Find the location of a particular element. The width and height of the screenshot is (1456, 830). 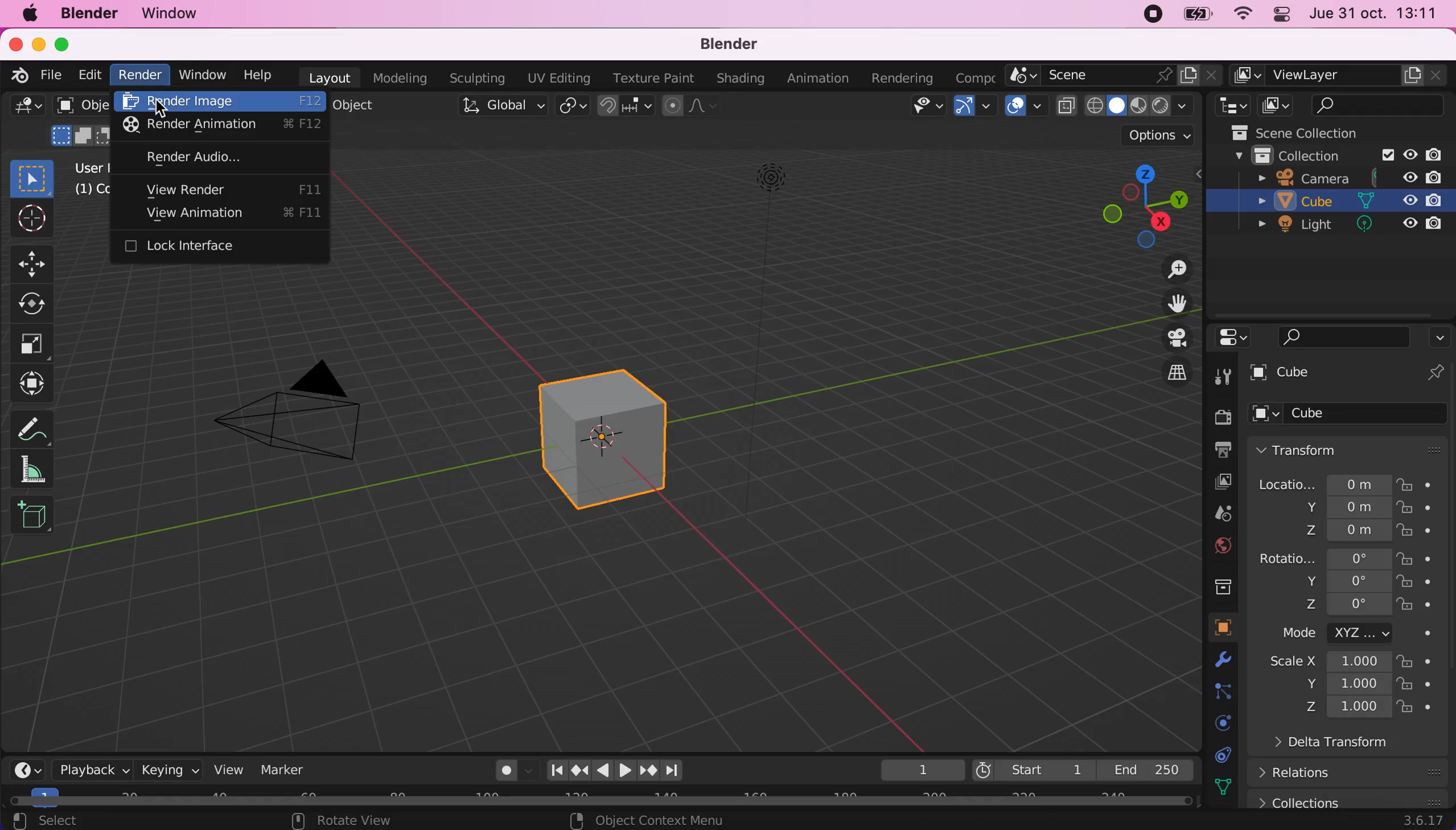

play animation is located at coordinates (625, 770).